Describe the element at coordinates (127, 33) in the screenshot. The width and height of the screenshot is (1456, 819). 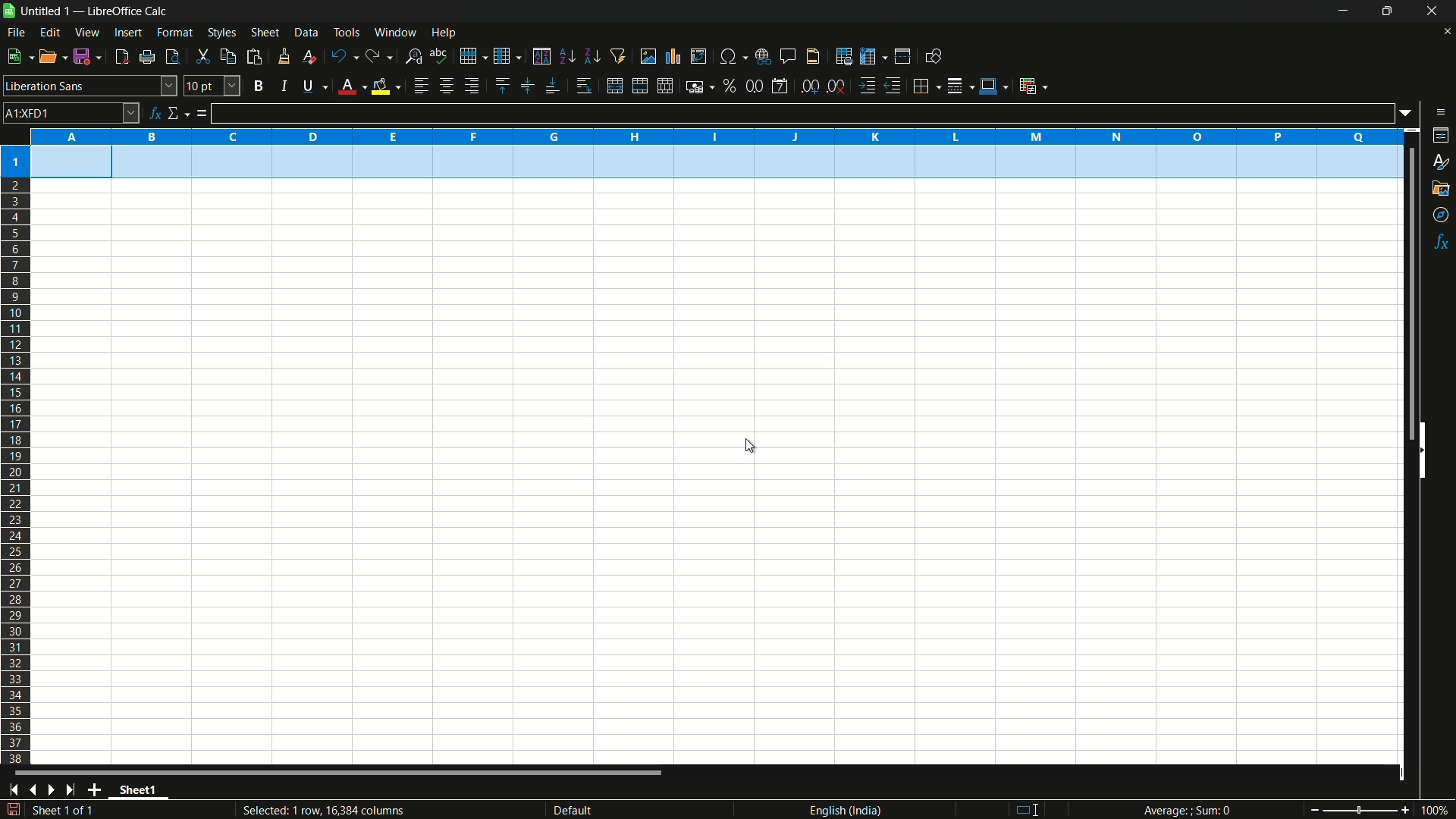
I see `insert menu` at that location.